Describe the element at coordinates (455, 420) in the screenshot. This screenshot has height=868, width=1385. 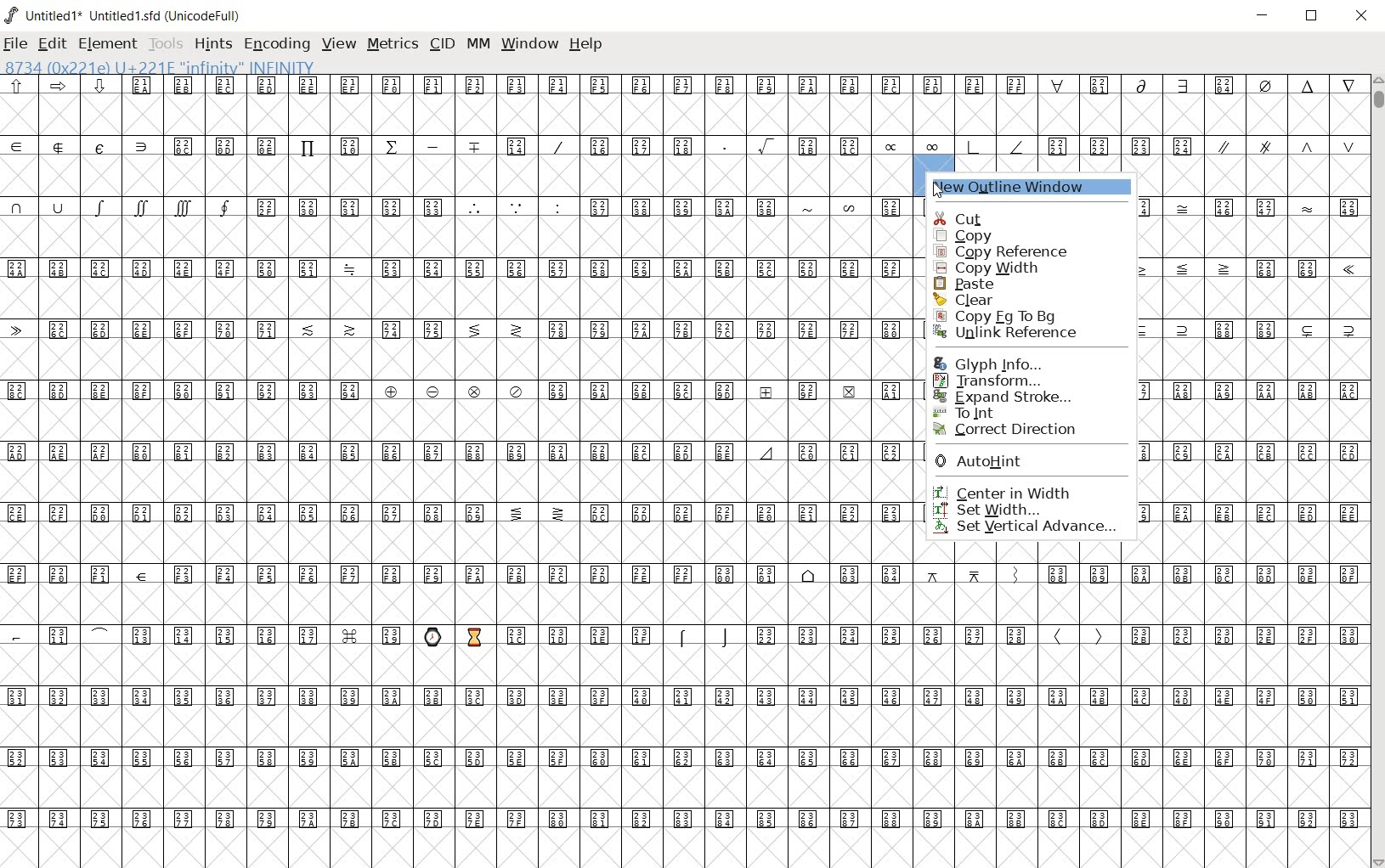
I see `empty glyph slots` at that location.